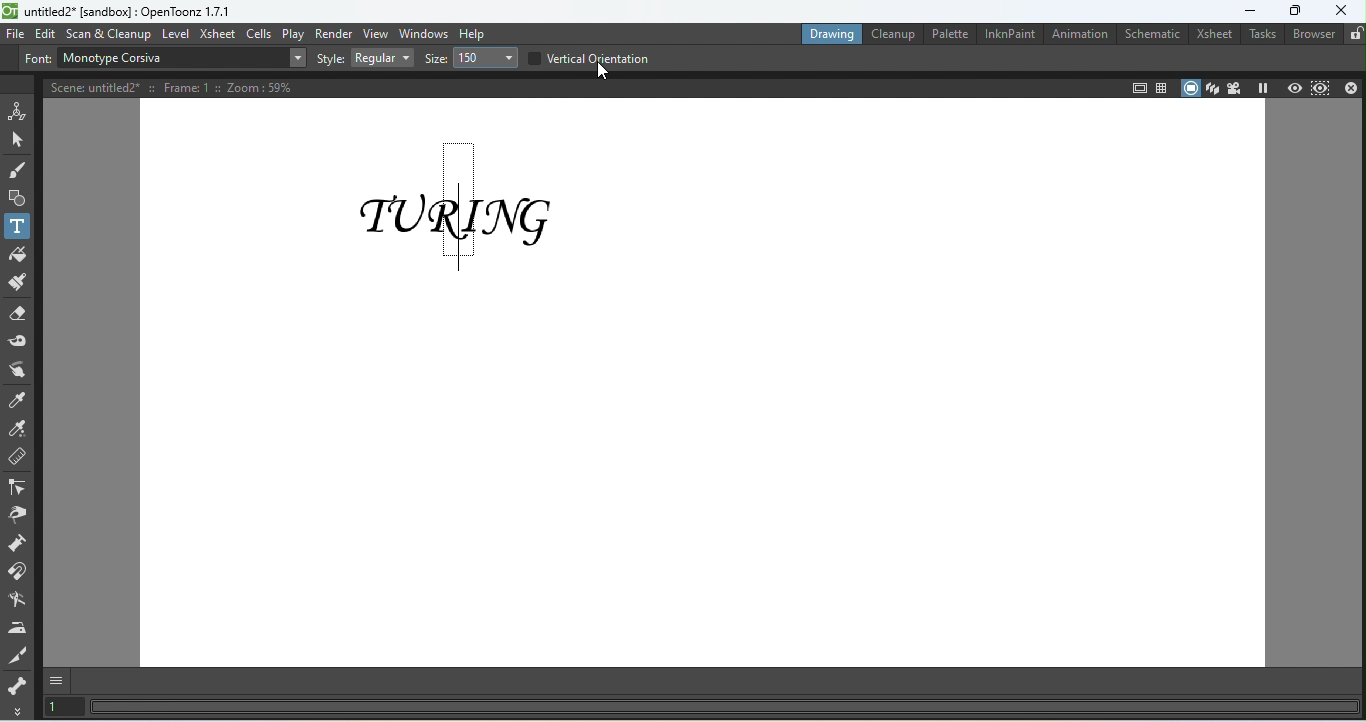 The width and height of the screenshot is (1366, 722). I want to click on Sub camera preview, so click(1320, 87).